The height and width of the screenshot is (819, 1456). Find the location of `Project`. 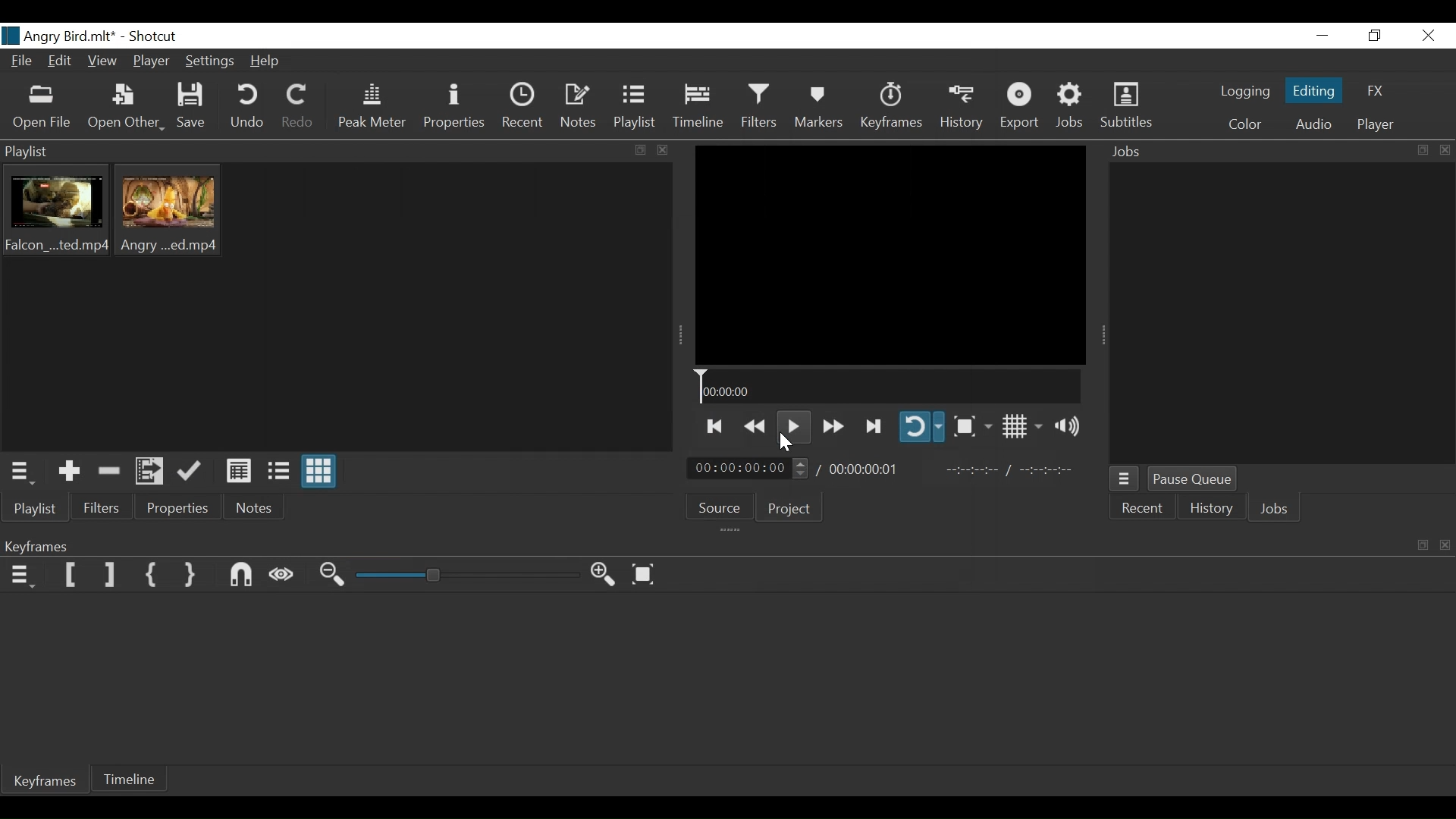

Project is located at coordinates (789, 510).